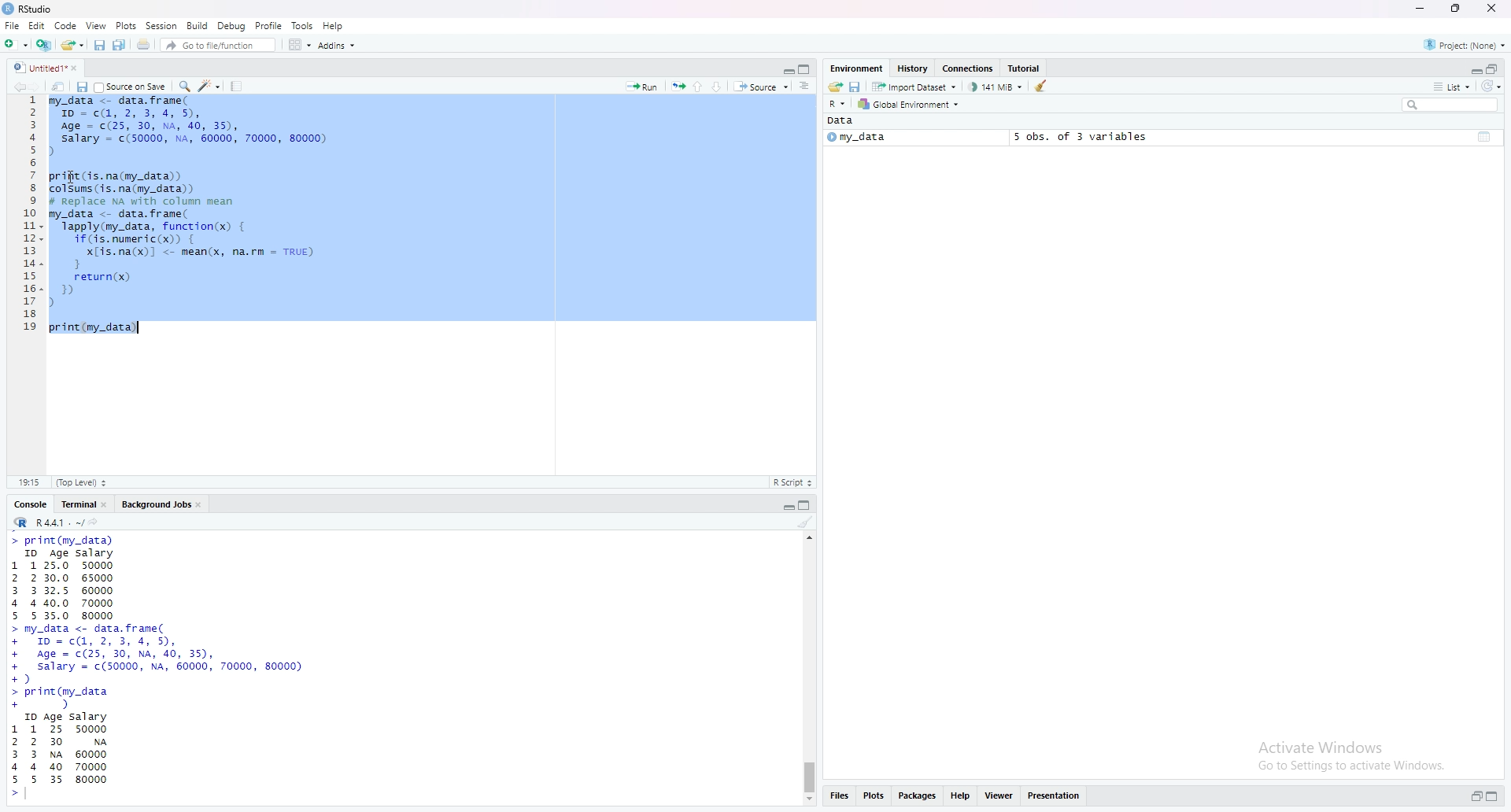  Describe the element at coordinates (678, 87) in the screenshot. I see `rerun the previous code region` at that location.